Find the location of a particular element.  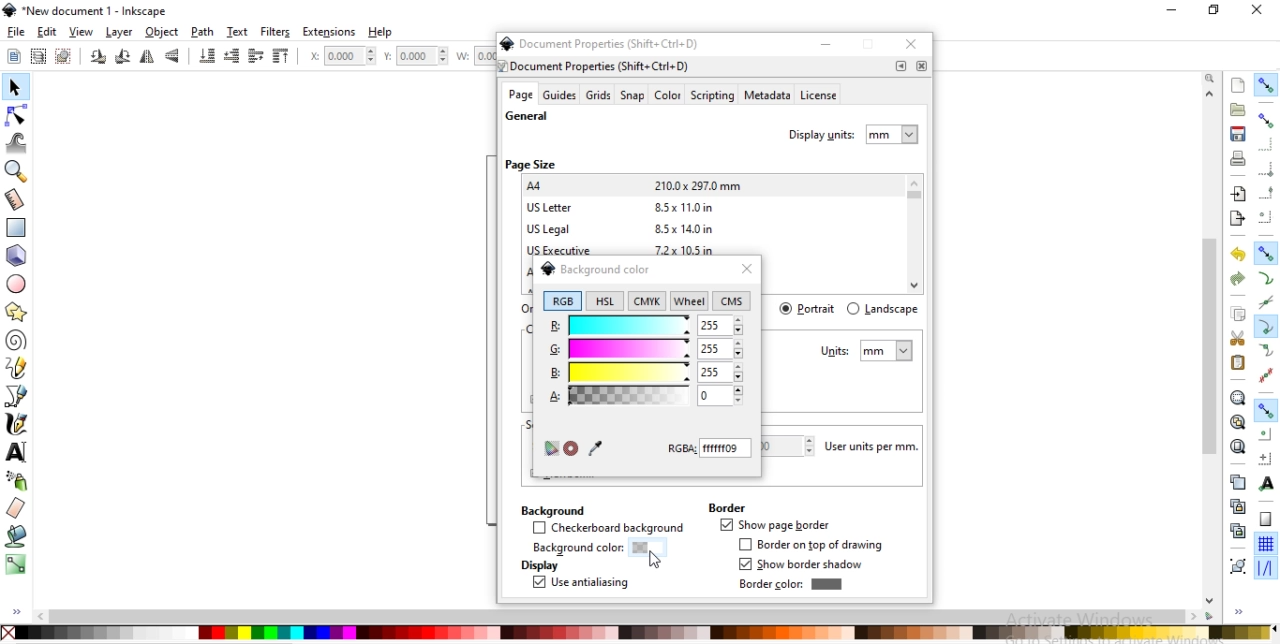

rgb is located at coordinates (562, 301).